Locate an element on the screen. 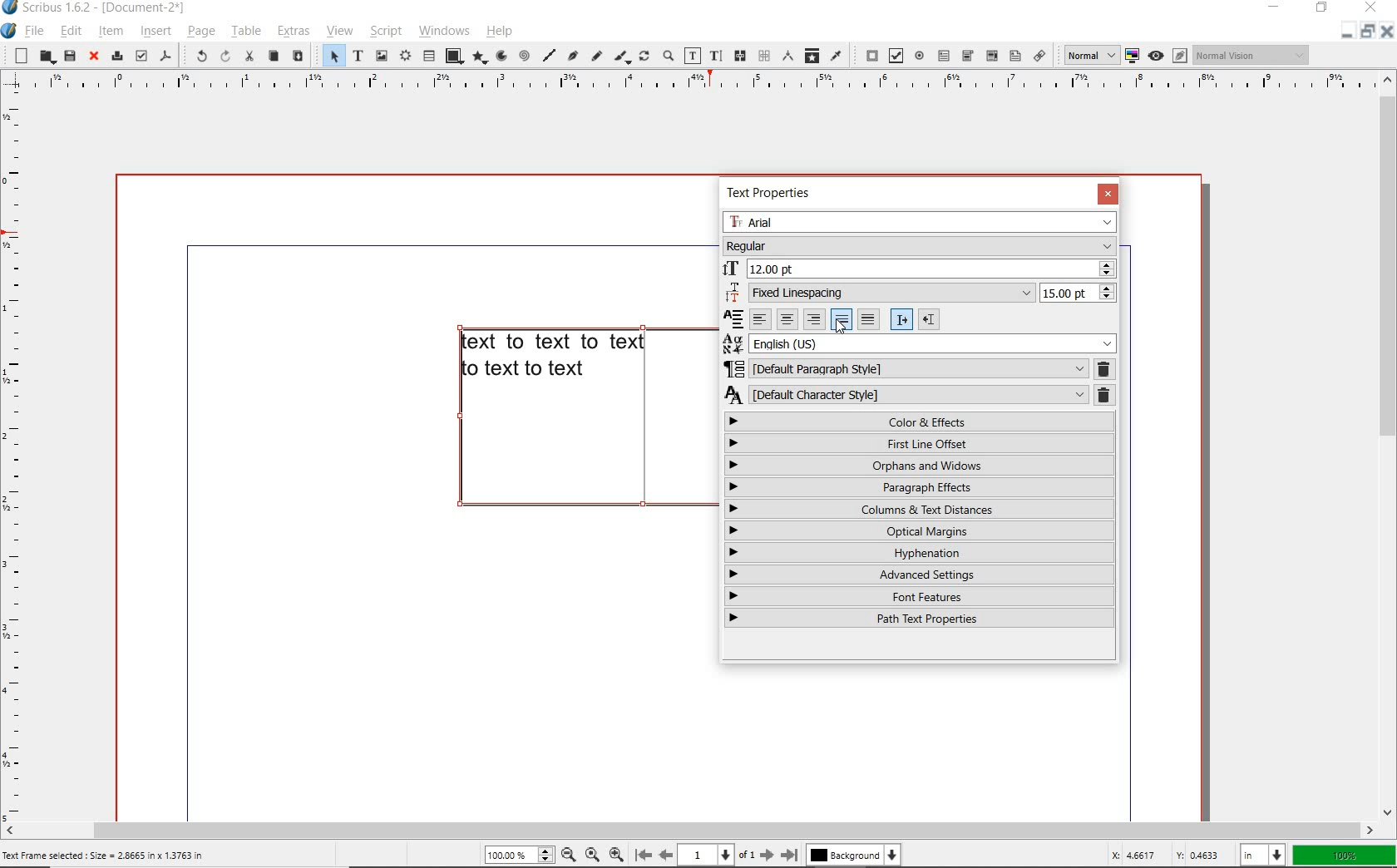 This screenshot has width=1397, height=868. link text frames is located at coordinates (740, 57).